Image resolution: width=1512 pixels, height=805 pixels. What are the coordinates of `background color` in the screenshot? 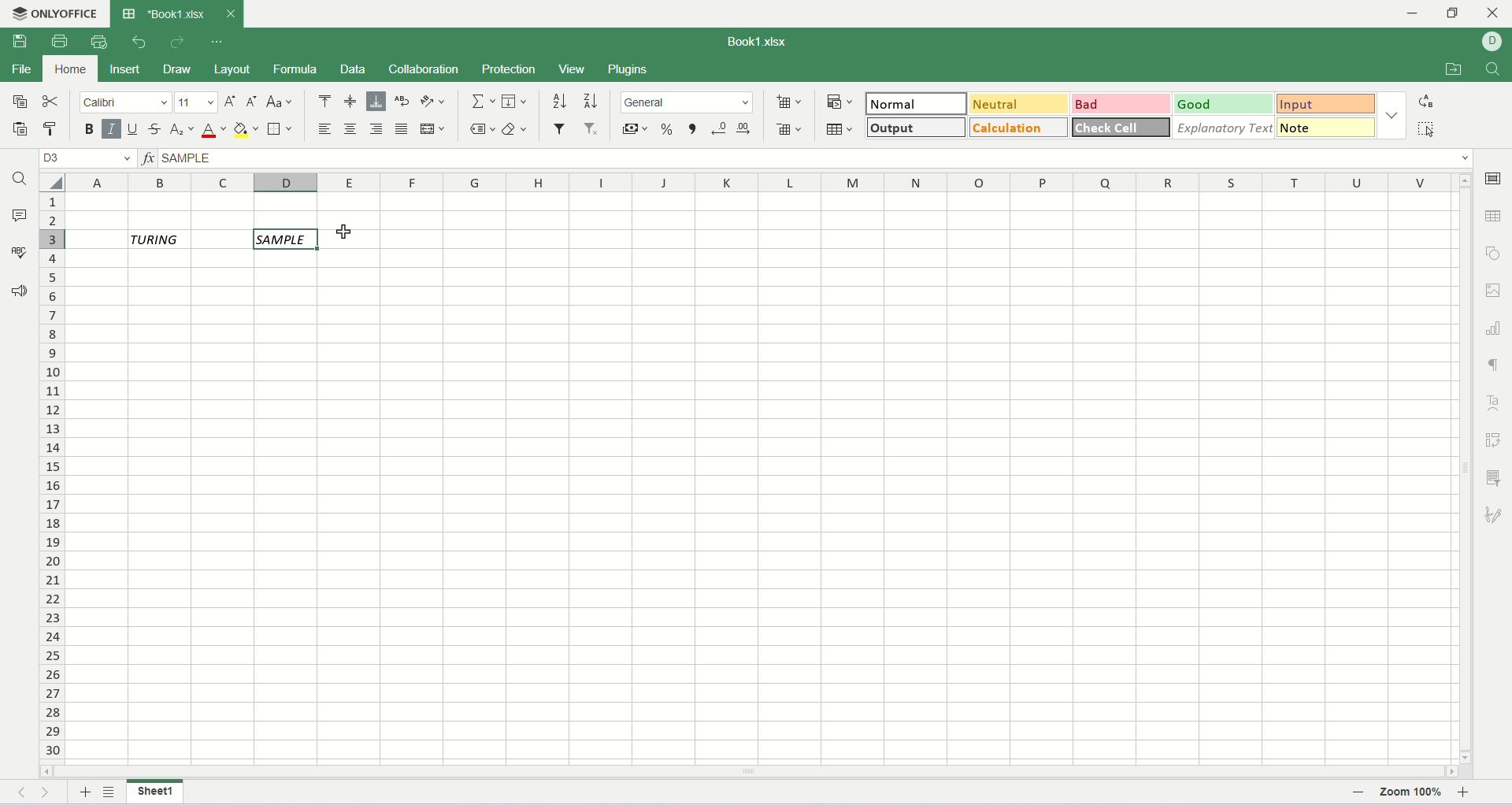 It's located at (246, 131).